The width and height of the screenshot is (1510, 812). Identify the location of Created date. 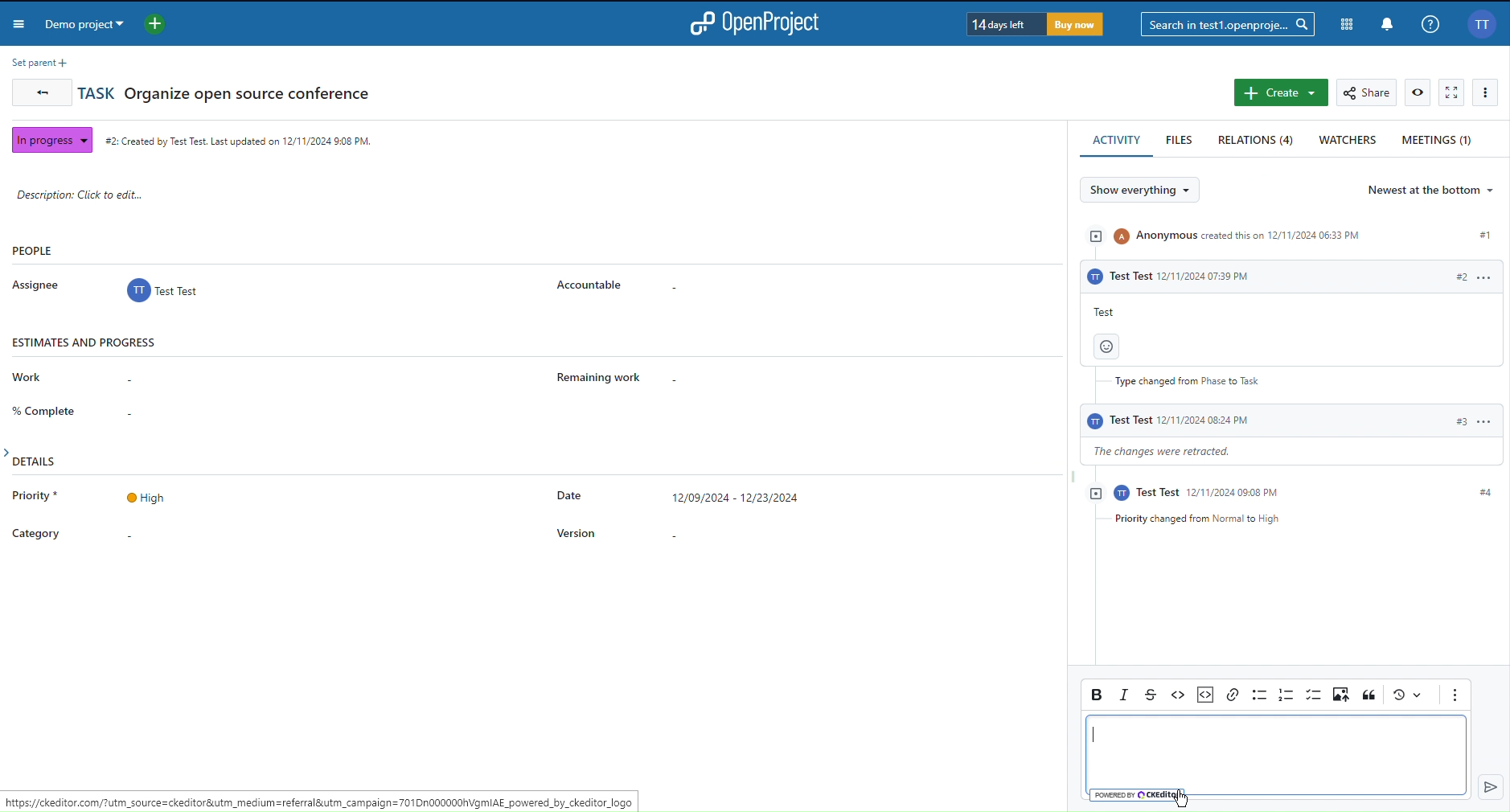
(240, 138).